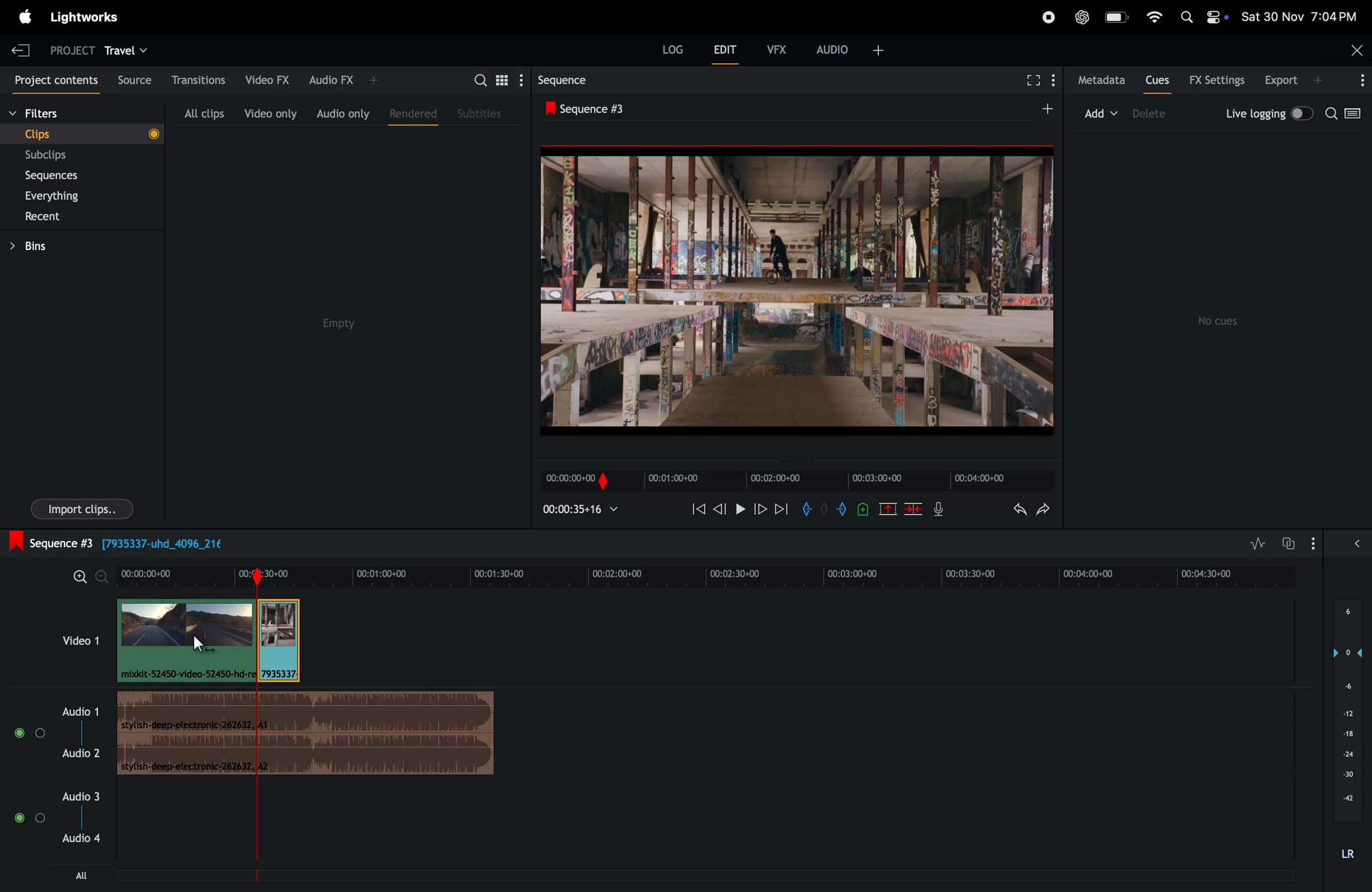 The image size is (1372, 892). Describe the element at coordinates (356, 327) in the screenshot. I see `Empty` at that location.